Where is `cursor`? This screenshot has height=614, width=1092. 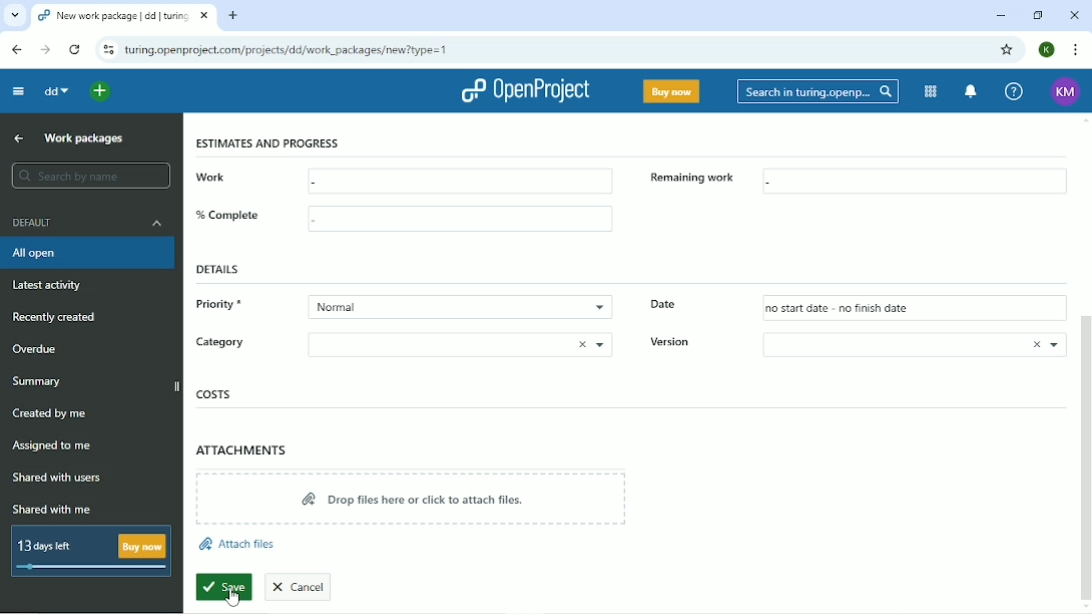 cursor is located at coordinates (236, 596).